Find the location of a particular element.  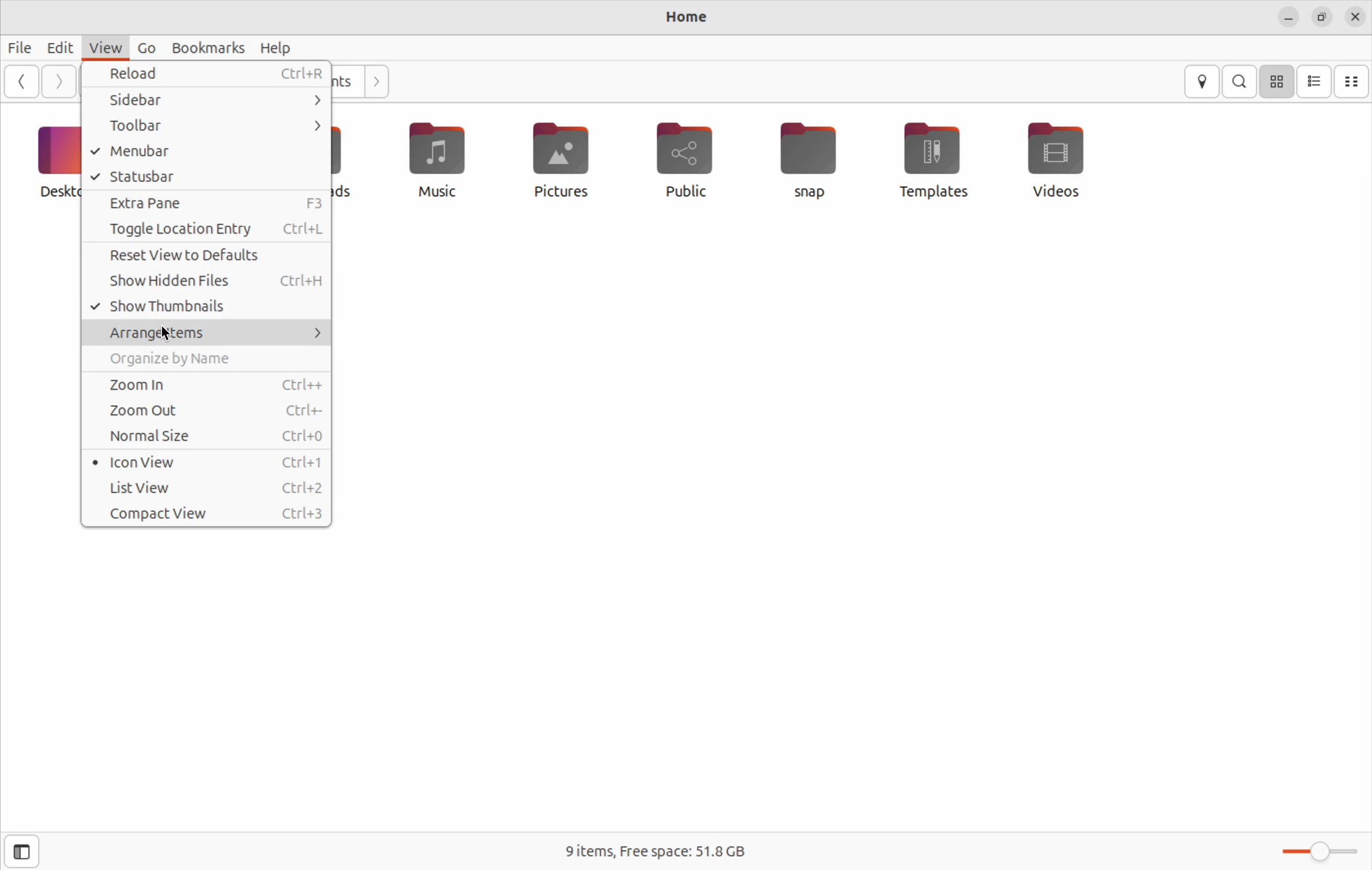

icon view is located at coordinates (1276, 81).